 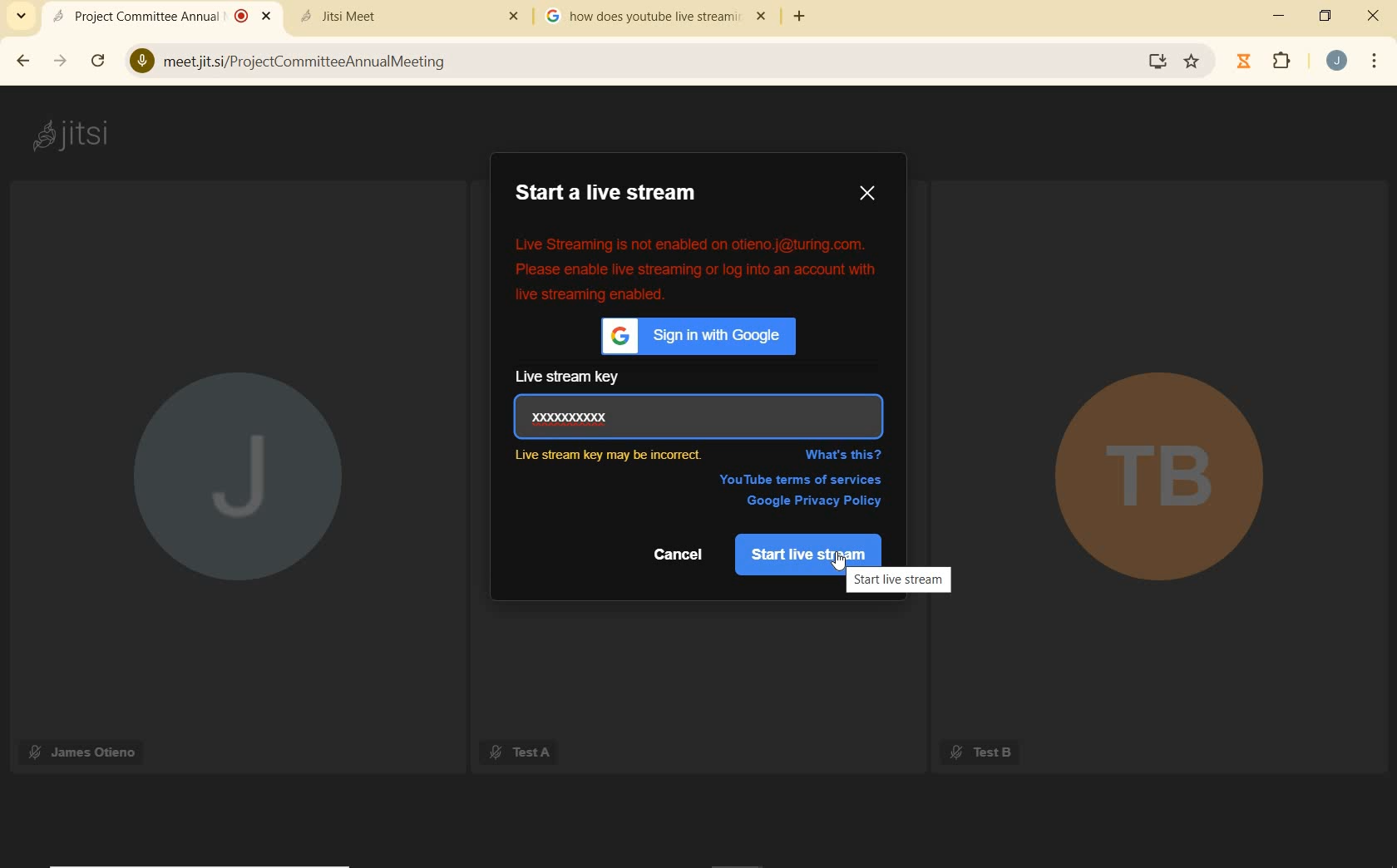 I want to click on jitsi, so click(x=86, y=135).